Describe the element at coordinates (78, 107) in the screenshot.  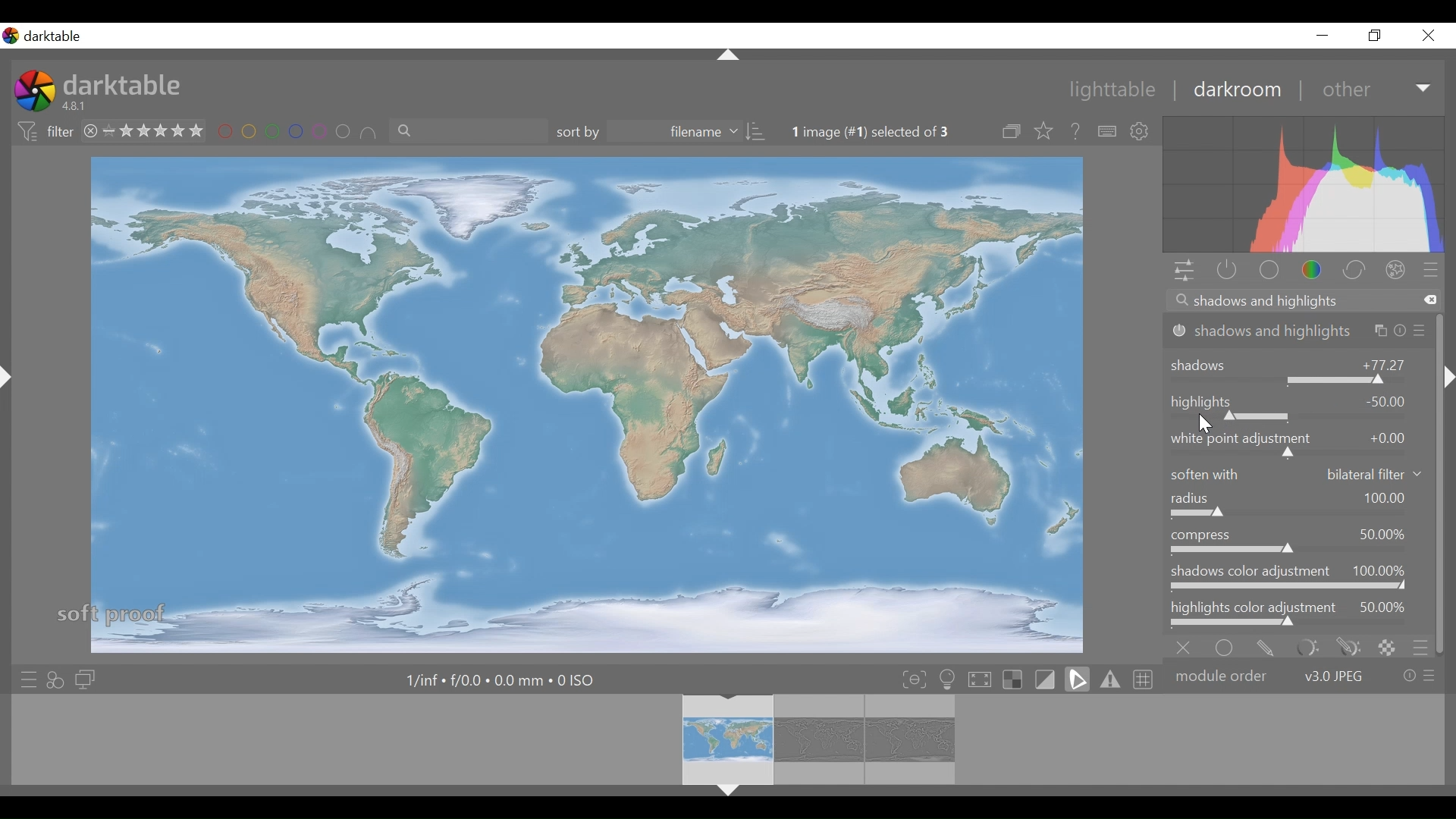
I see `Version` at that location.